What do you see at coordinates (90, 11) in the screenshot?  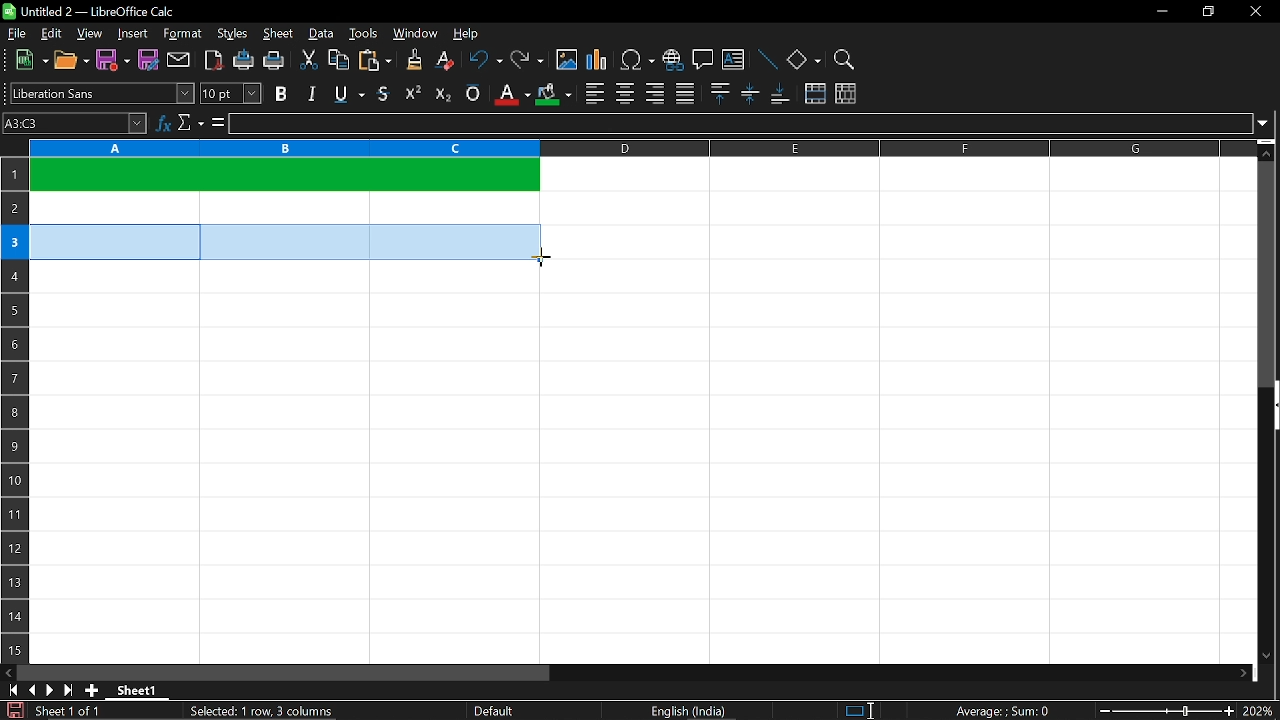 I see `Untitled 2 - LibreOffice Calc` at bounding box center [90, 11].